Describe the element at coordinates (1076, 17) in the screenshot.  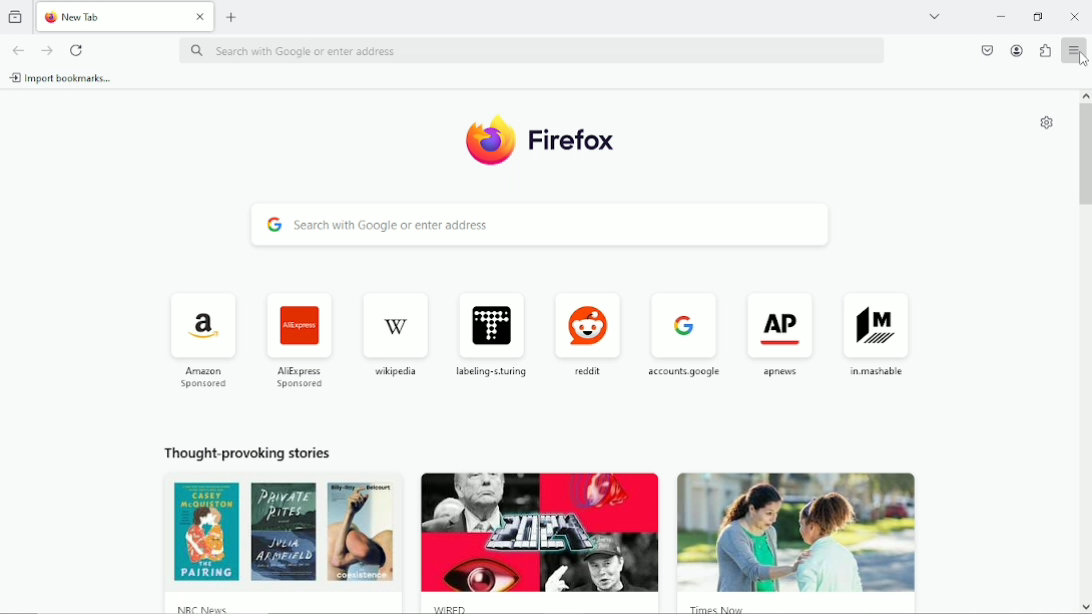
I see `Close` at that location.